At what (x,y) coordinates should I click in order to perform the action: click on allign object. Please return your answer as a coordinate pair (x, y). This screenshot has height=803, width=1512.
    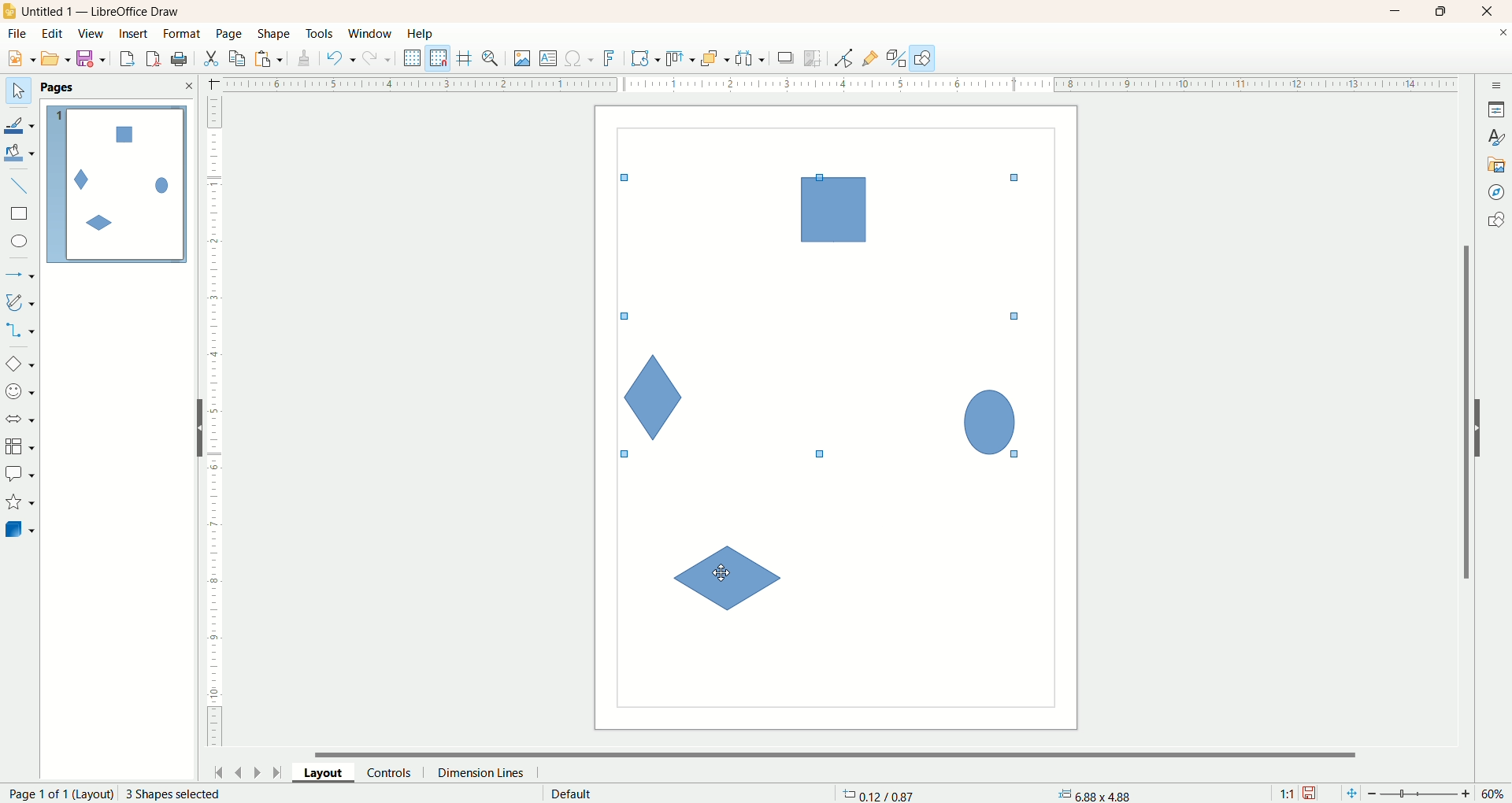
    Looking at the image, I should click on (681, 59).